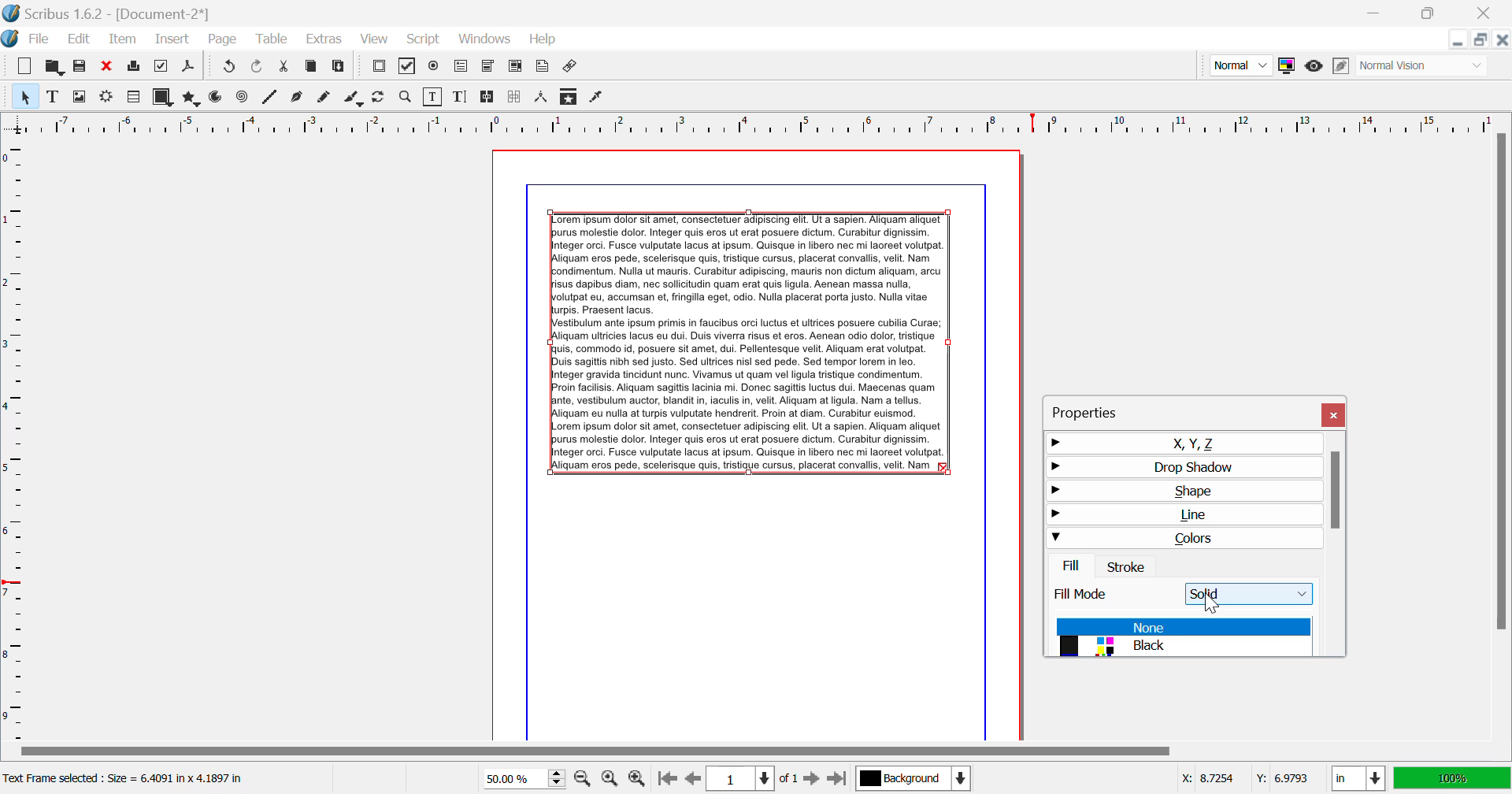  I want to click on Shape, so click(1182, 492).